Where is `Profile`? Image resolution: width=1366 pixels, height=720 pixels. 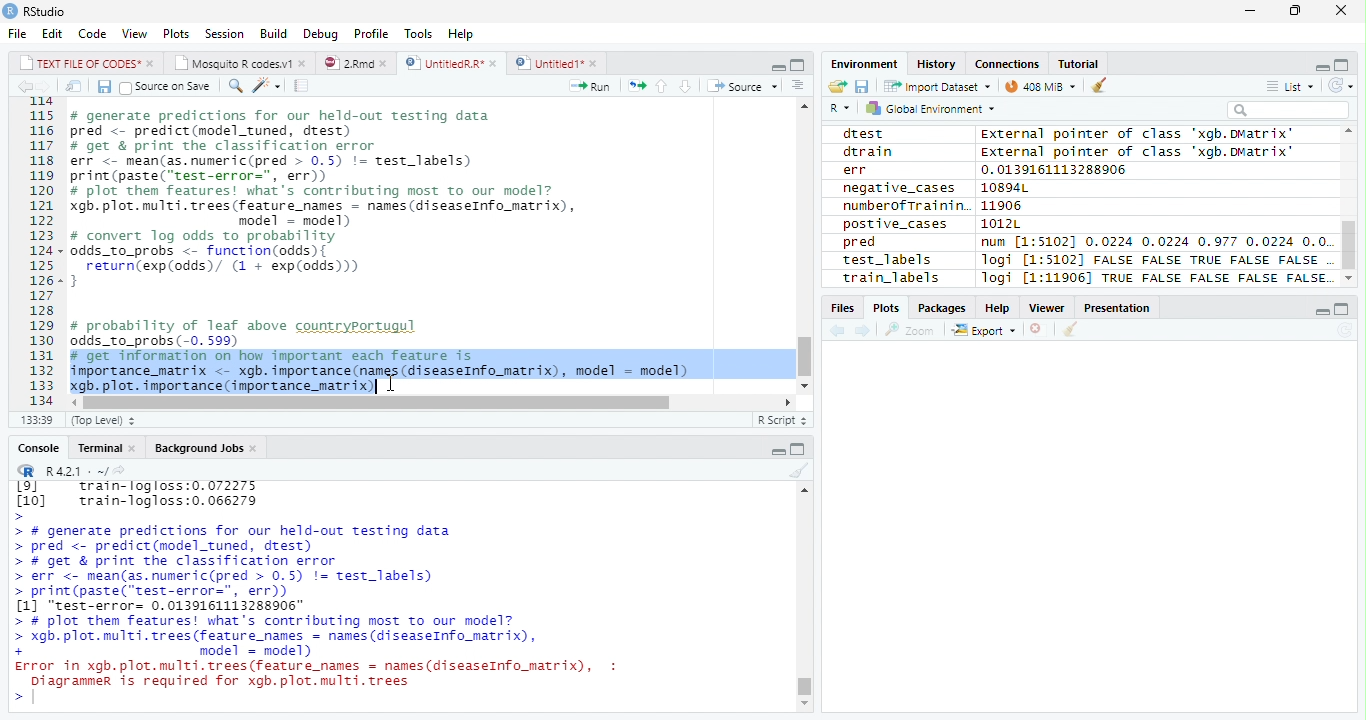
Profile is located at coordinates (372, 33).